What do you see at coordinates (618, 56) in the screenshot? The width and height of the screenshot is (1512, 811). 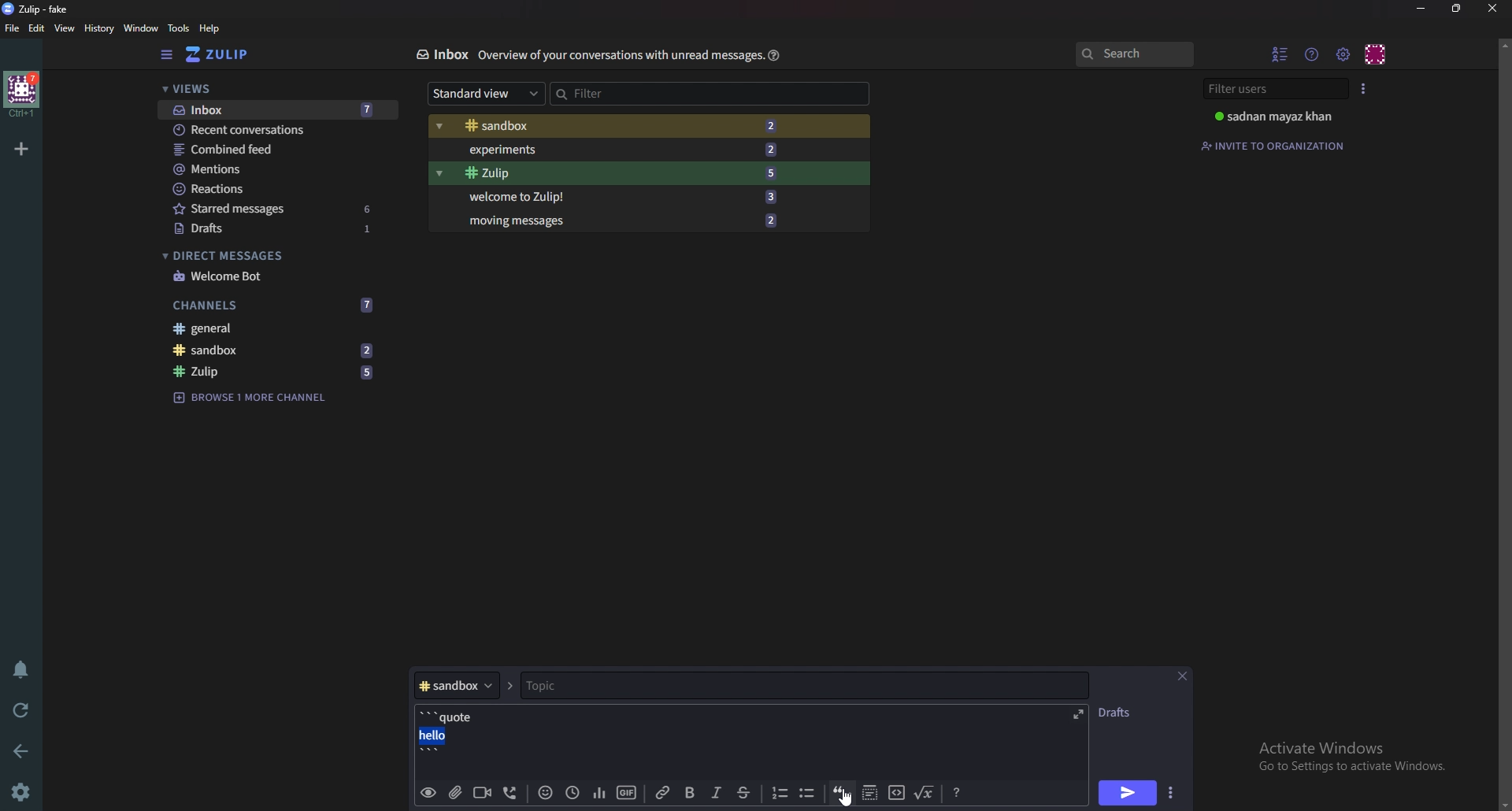 I see `overview of your conservations with unread message` at bounding box center [618, 56].